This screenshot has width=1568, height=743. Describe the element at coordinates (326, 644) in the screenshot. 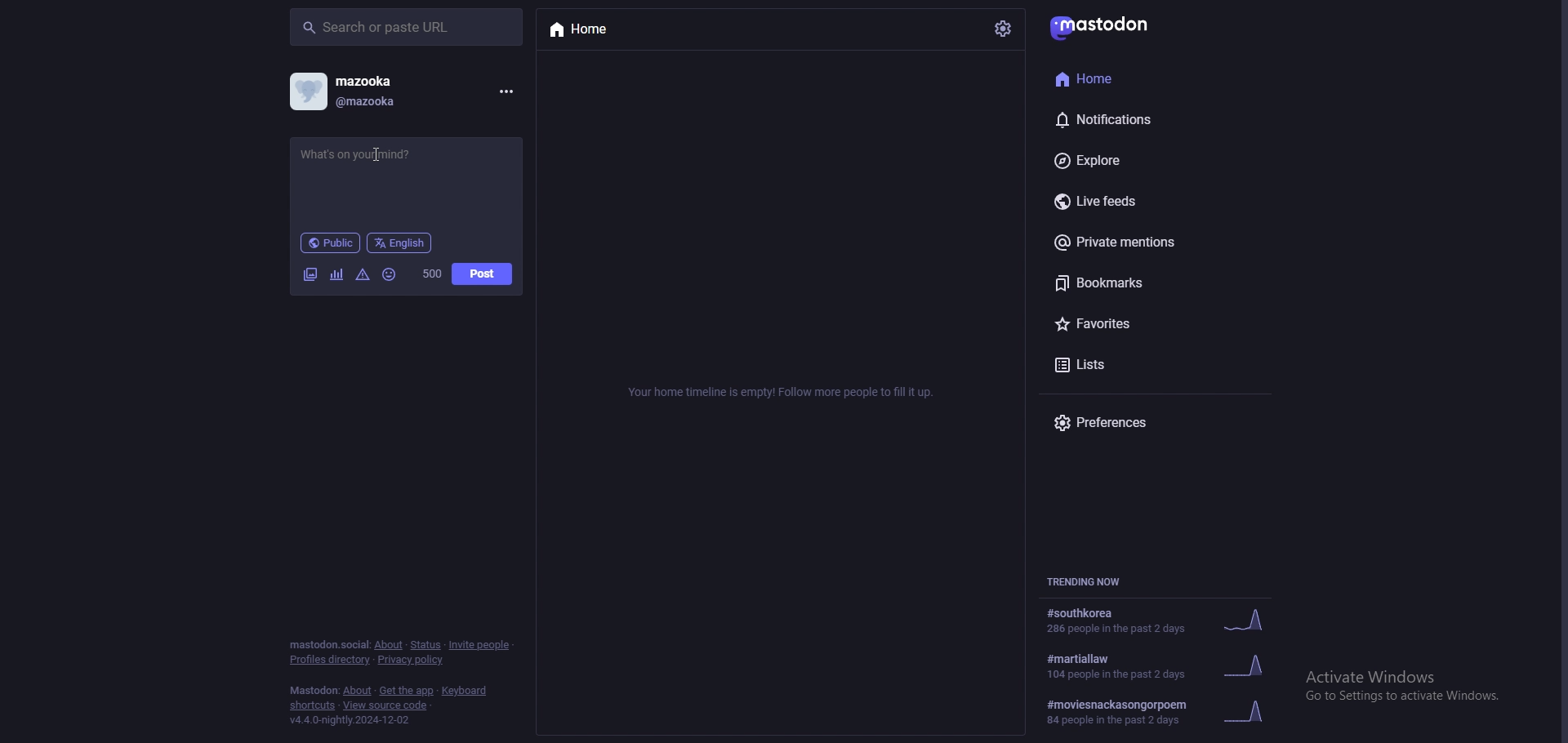

I see `mastodon social` at that location.